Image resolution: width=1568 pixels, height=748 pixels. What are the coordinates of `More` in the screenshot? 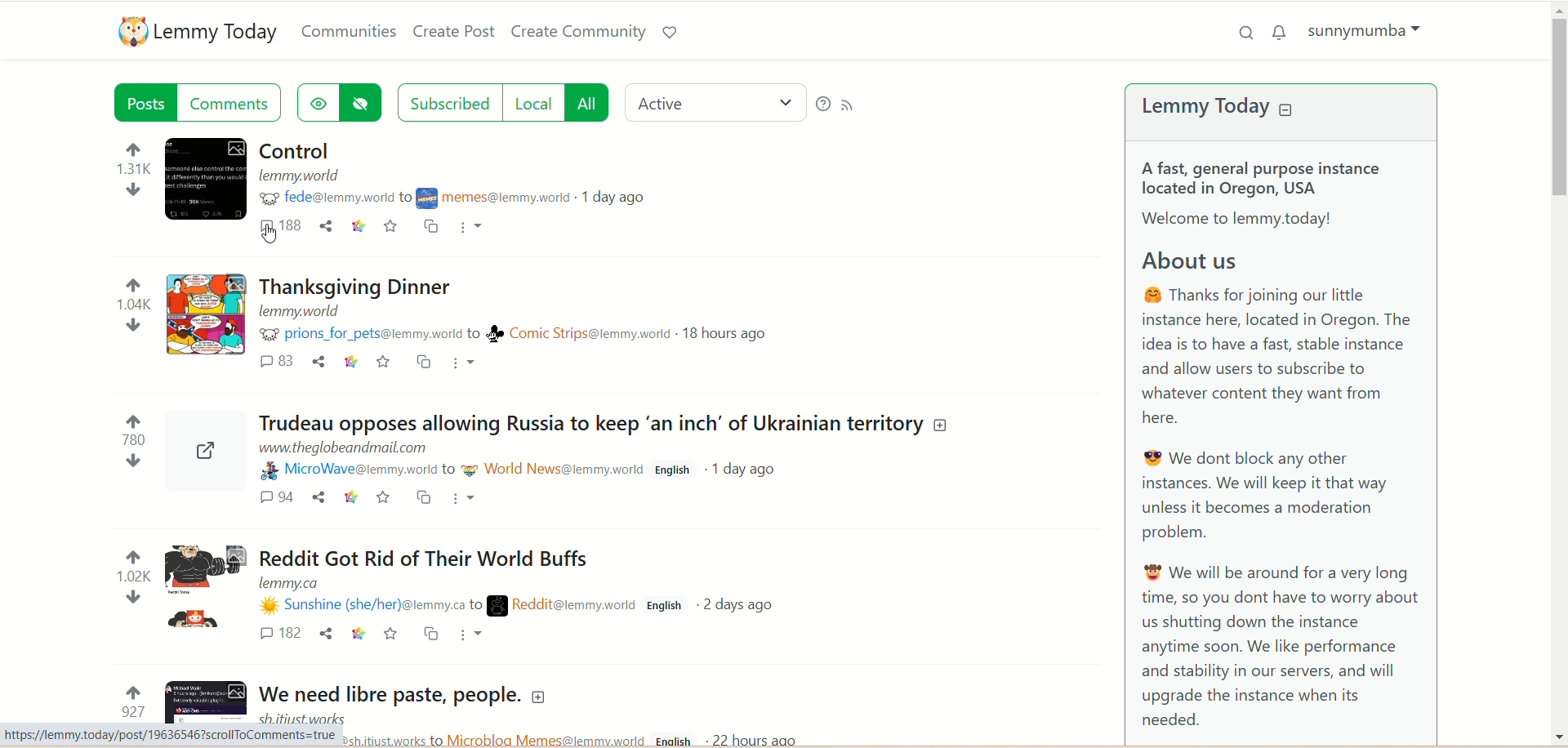 It's located at (475, 498).